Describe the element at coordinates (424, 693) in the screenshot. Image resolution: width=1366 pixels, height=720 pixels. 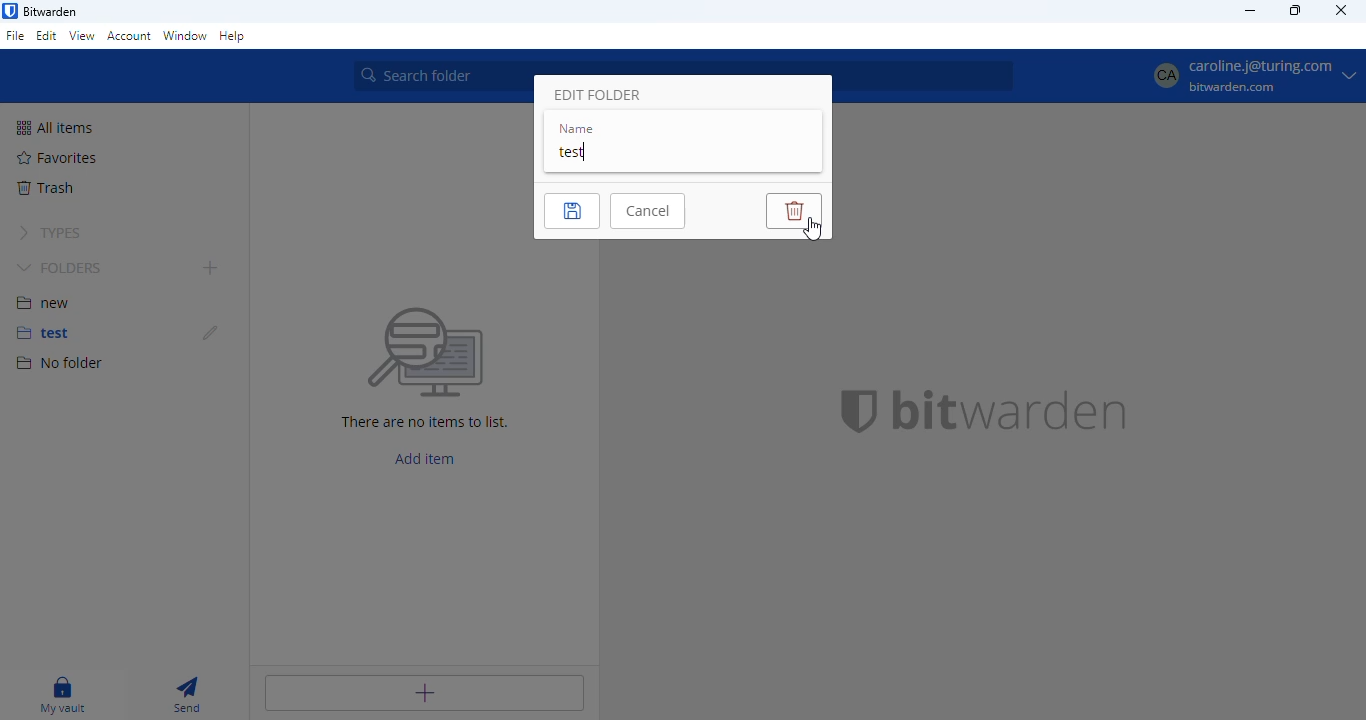
I see `add item` at that location.